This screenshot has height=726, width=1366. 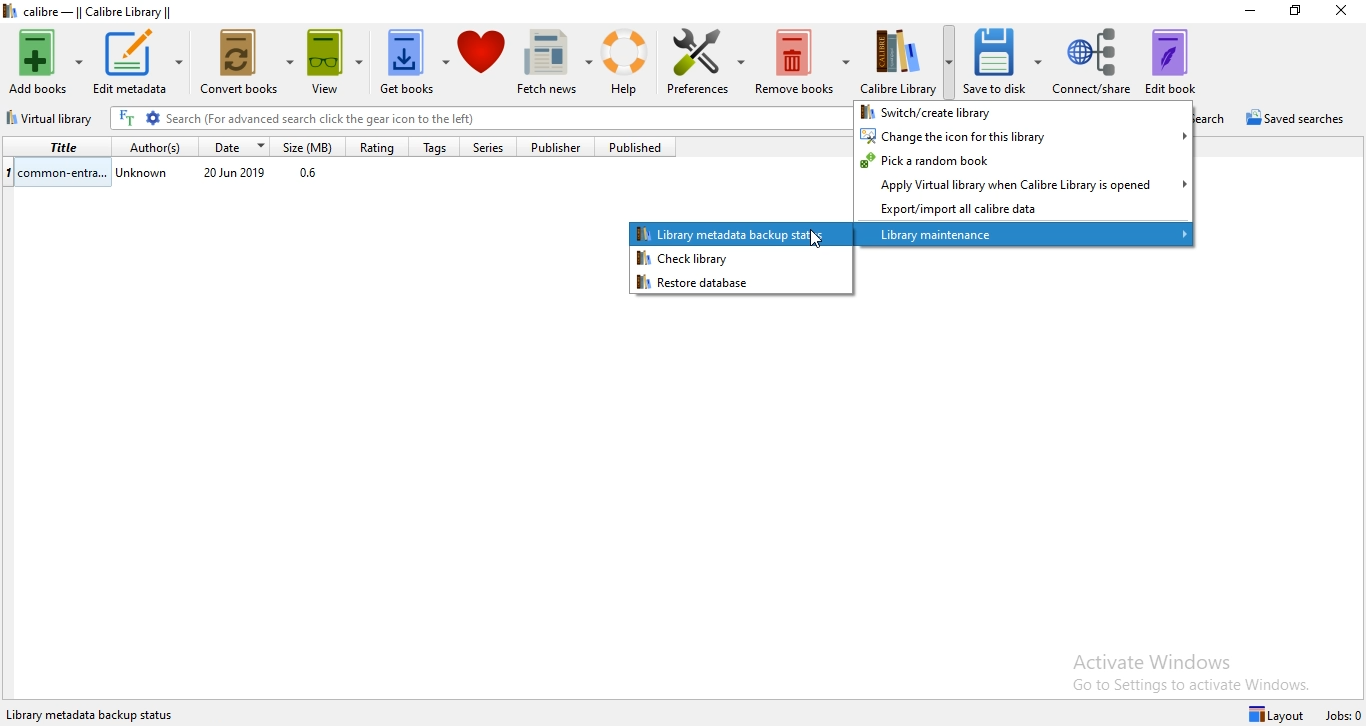 What do you see at coordinates (1093, 59) in the screenshot?
I see `Connect/share` at bounding box center [1093, 59].